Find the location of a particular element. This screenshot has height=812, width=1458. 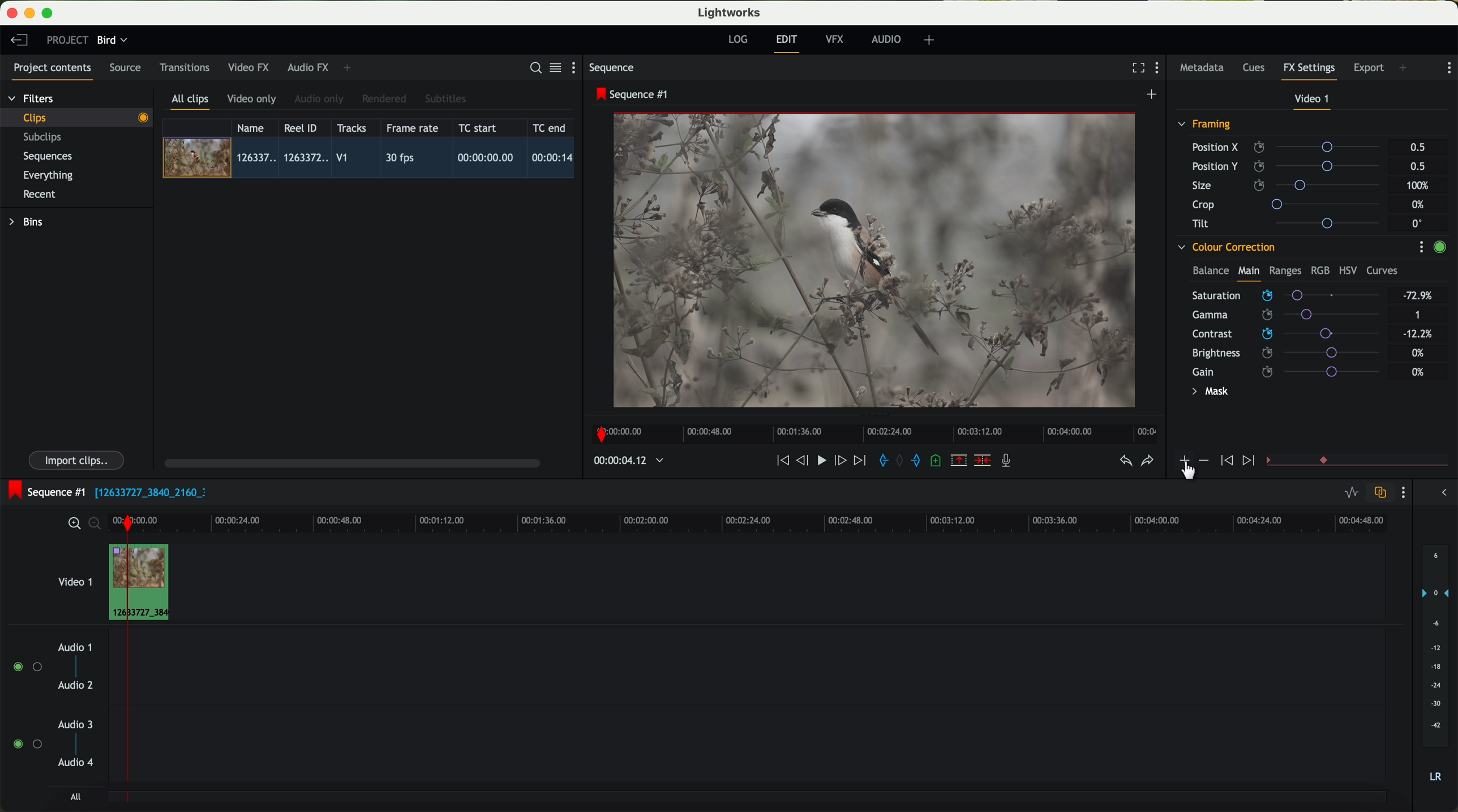

all clips is located at coordinates (191, 102).